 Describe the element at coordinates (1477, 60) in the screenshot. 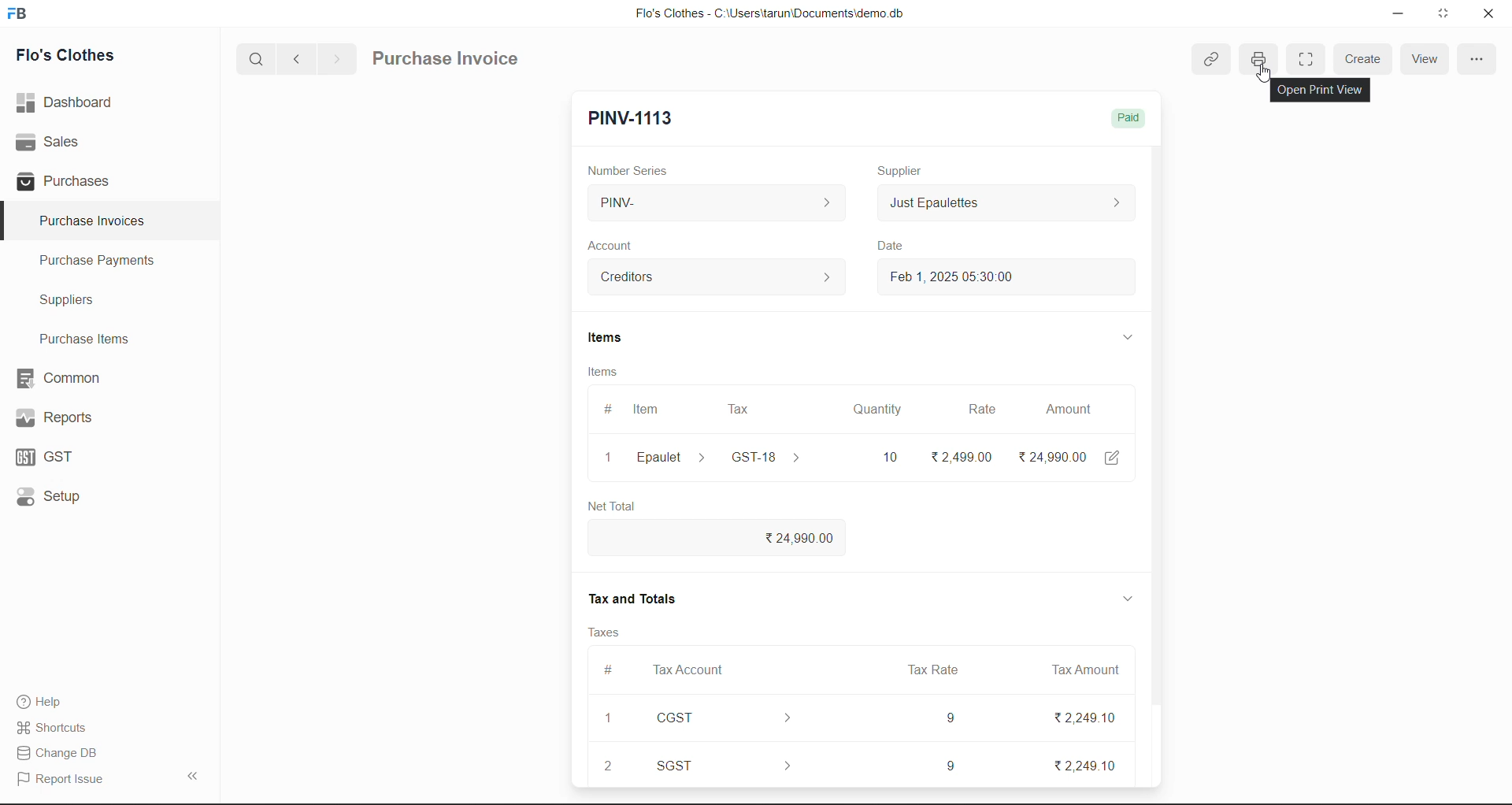

I see `more options` at that location.